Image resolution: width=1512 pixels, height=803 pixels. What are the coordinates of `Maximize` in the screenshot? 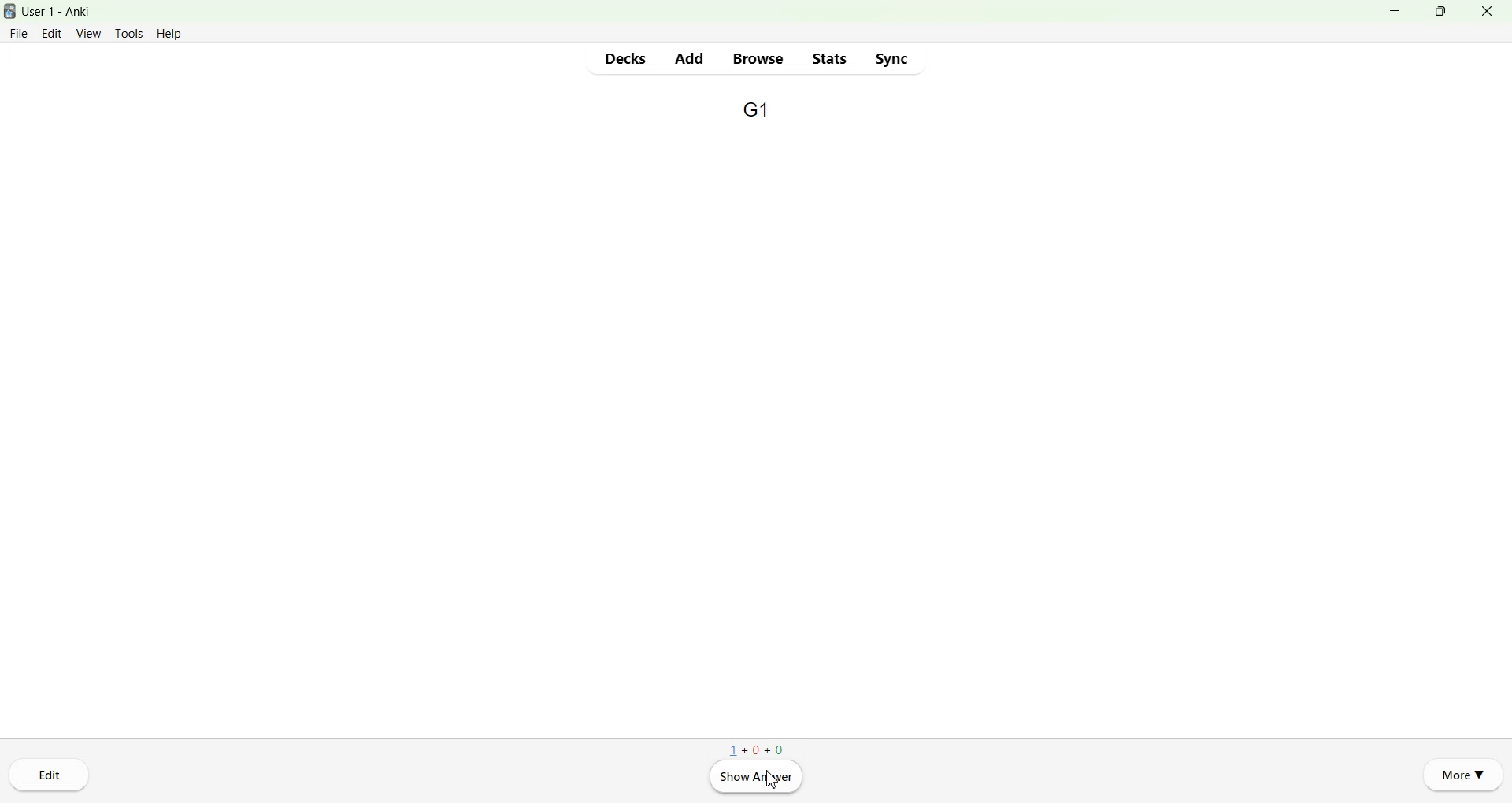 It's located at (1440, 11).